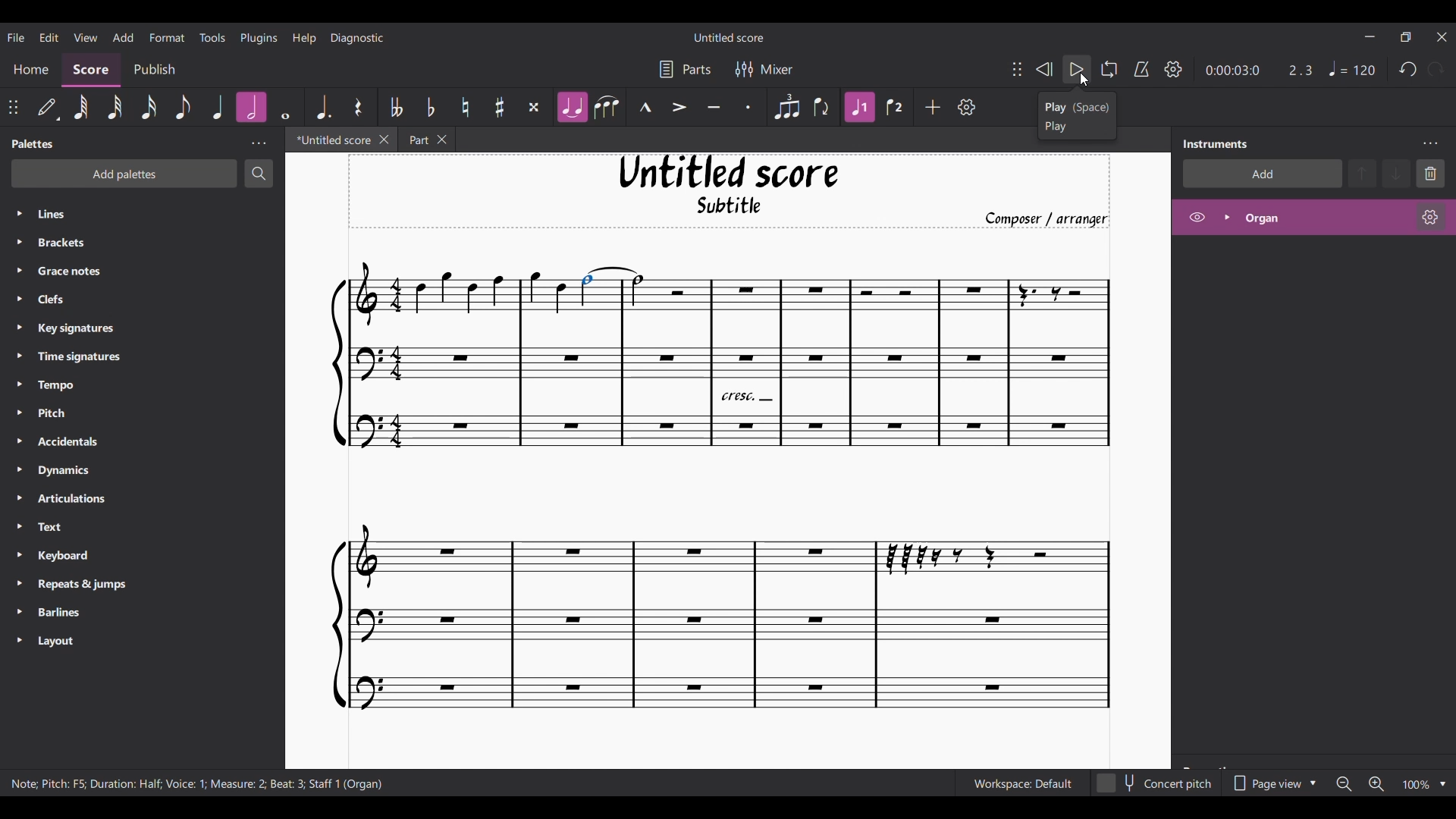 Image resolution: width=1456 pixels, height=819 pixels. I want to click on Metronome, so click(1141, 69).